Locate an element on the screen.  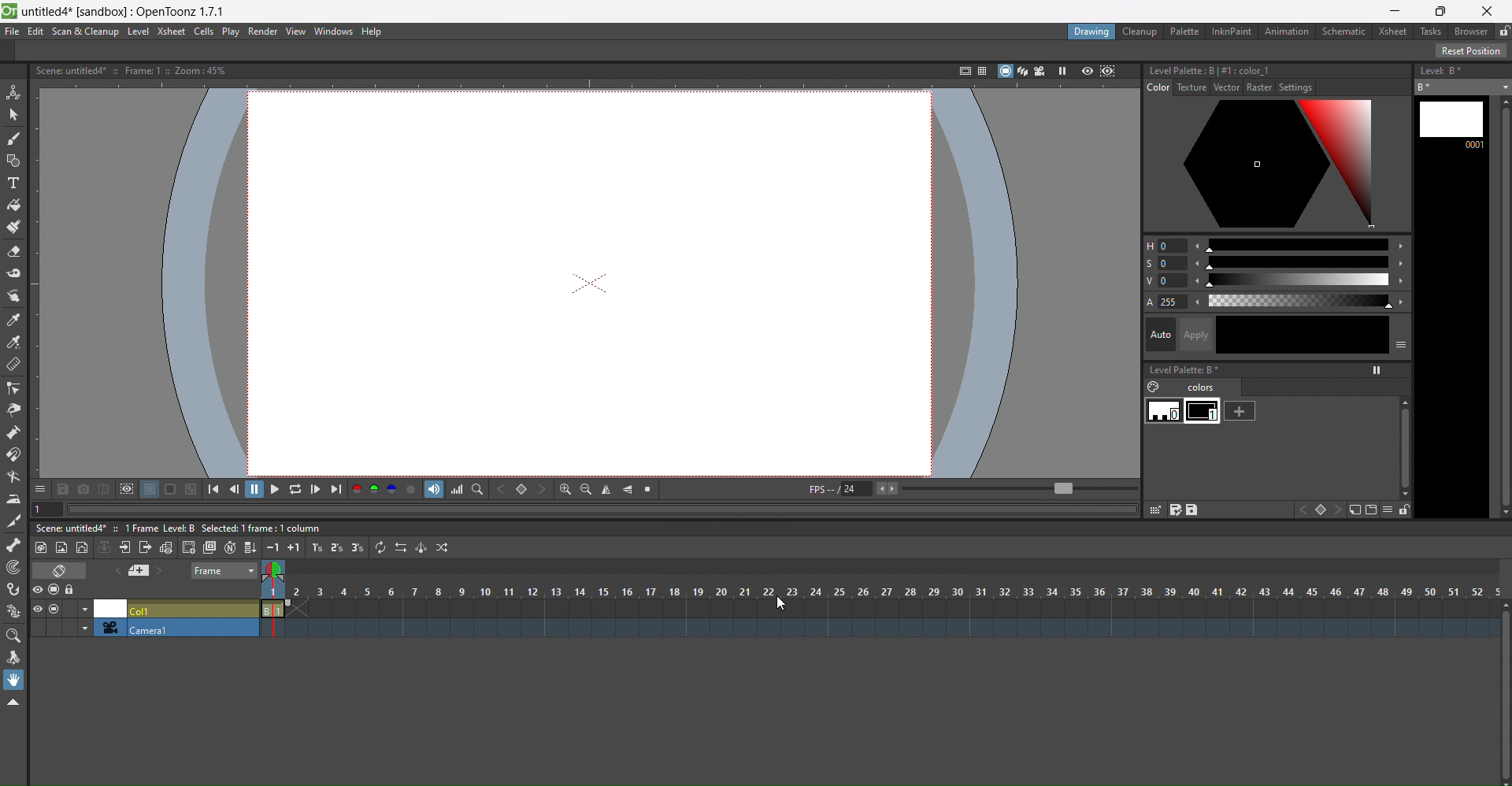
reset position is located at coordinates (1472, 50).